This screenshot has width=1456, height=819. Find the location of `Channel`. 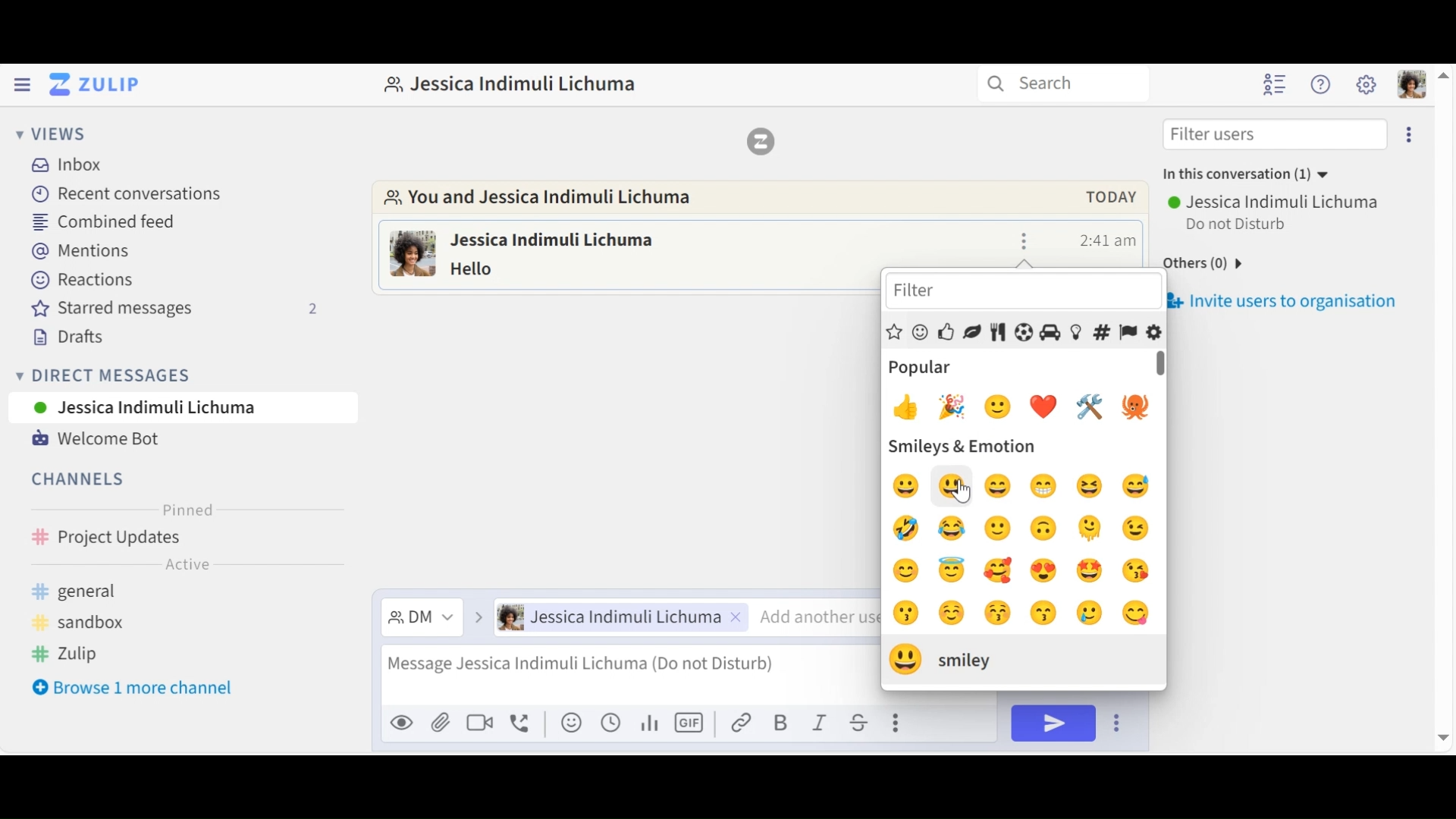

Channel is located at coordinates (184, 539).